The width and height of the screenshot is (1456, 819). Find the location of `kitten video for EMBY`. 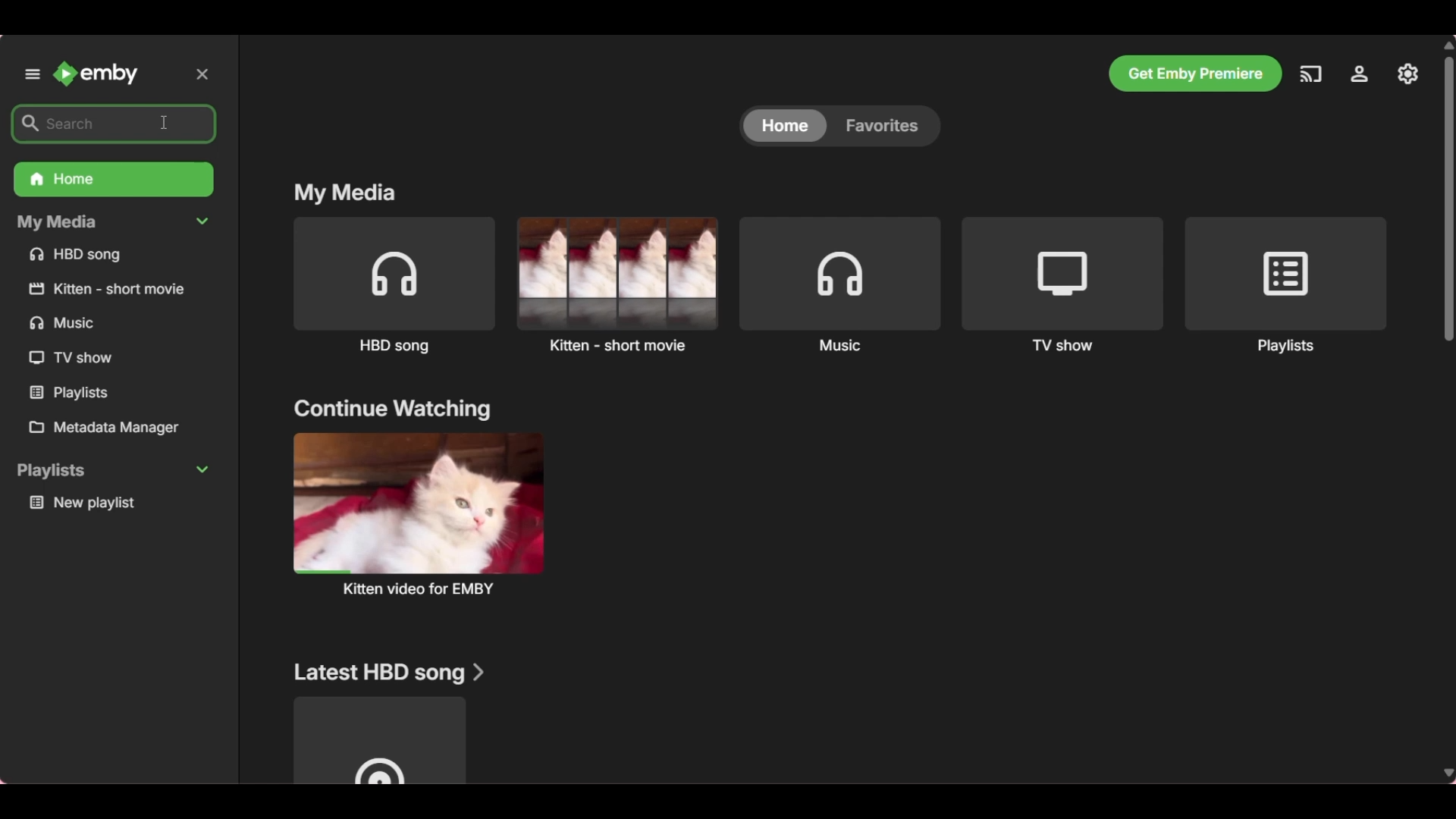

kitten video for EMBY is located at coordinates (417, 513).